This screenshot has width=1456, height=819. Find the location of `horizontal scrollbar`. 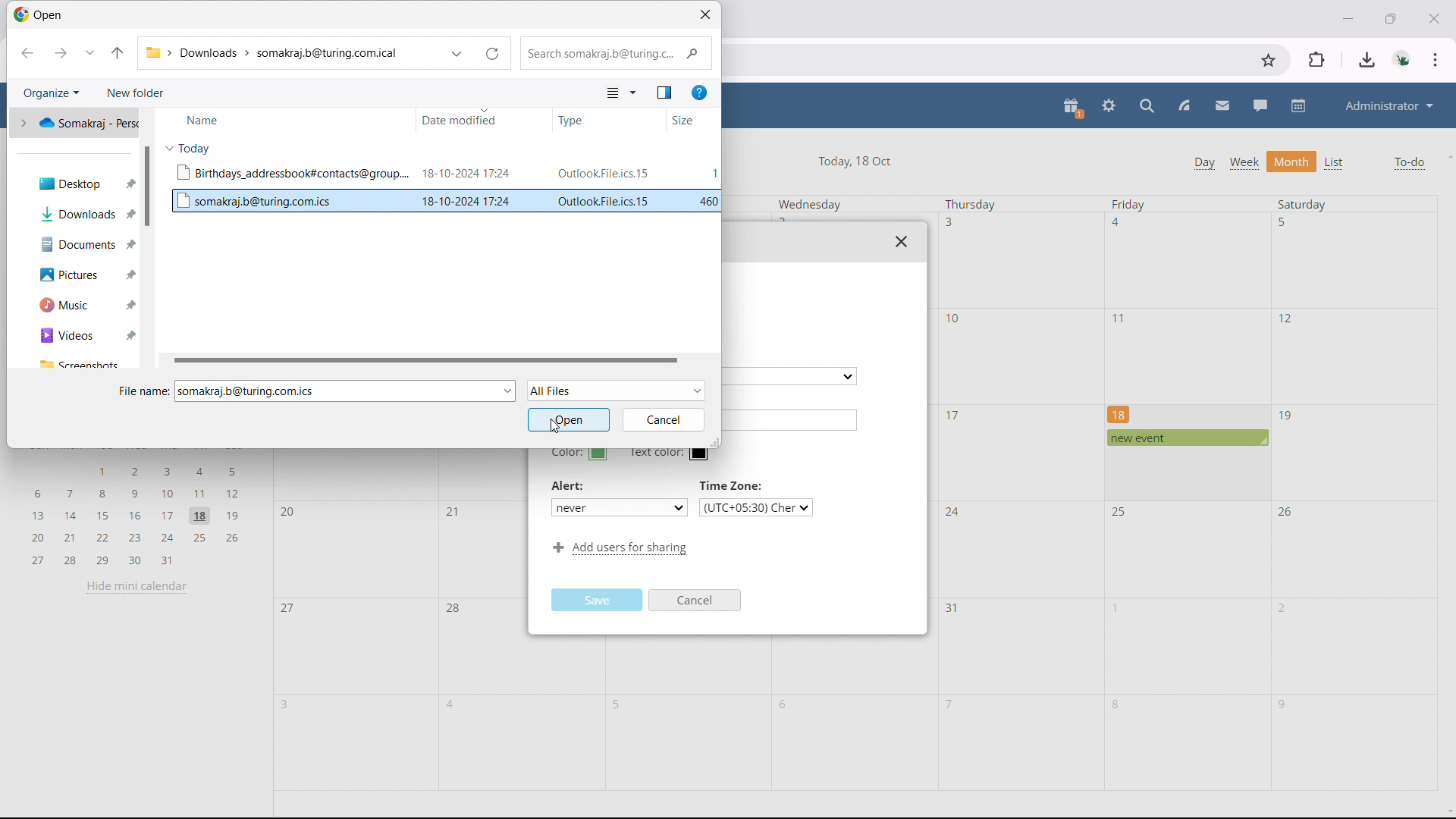

horizontal scrollbar is located at coordinates (429, 360).